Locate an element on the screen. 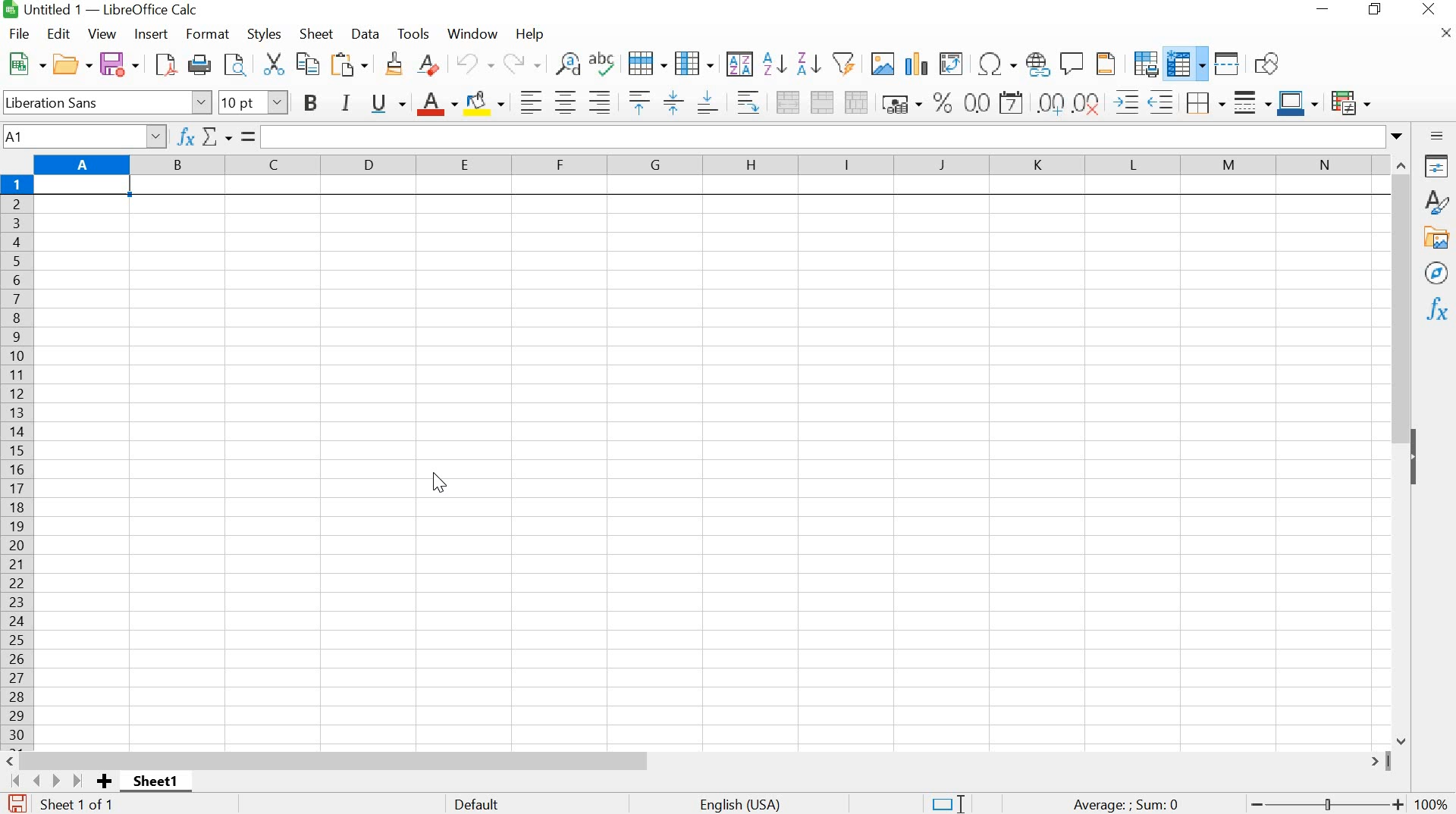 The height and width of the screenshot is (814, 1456). ITALIC is located at coordinates (346, 101).